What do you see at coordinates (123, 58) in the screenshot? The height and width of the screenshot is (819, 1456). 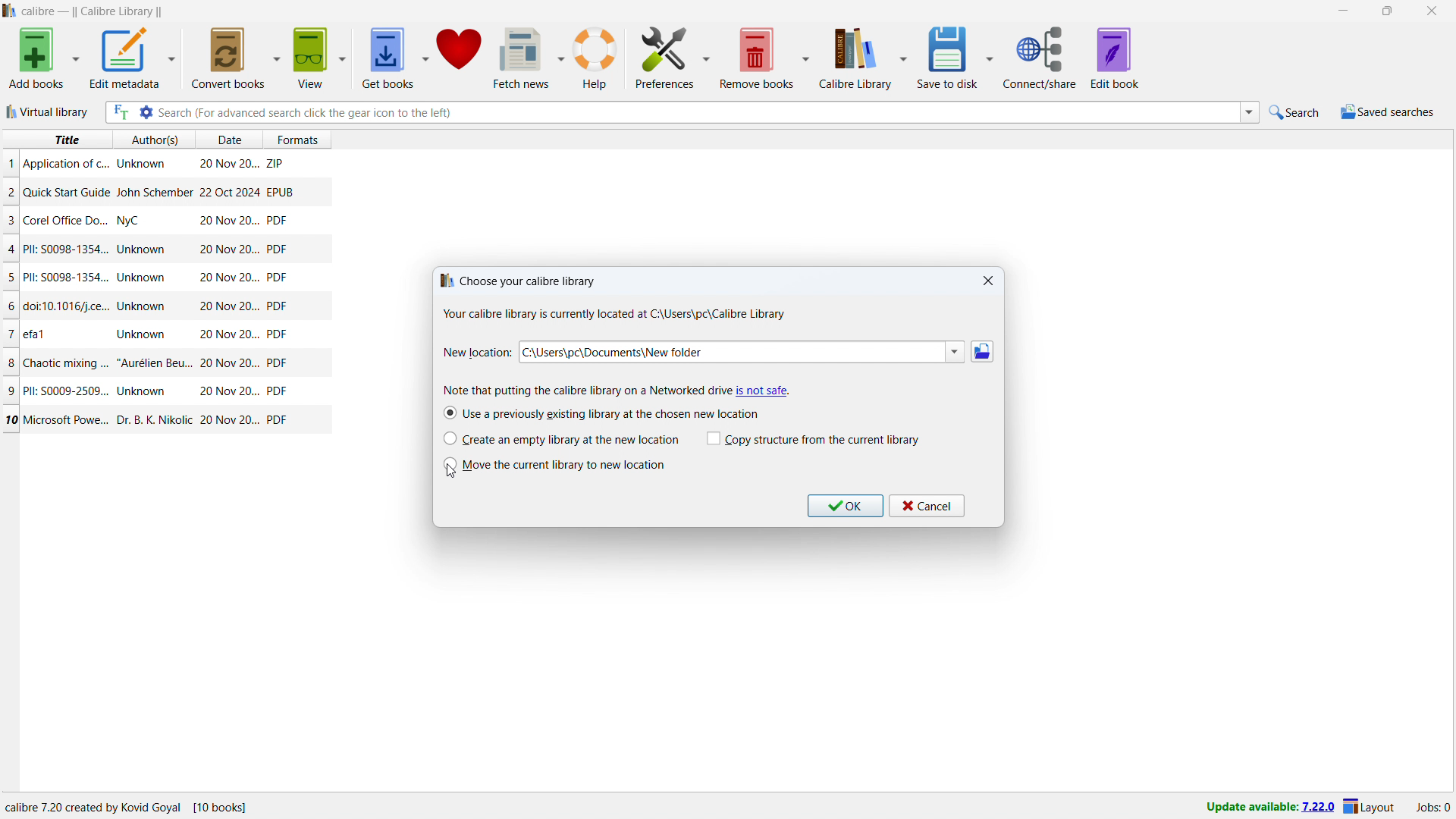 I see `edit metadata` at bounding box center [123, 58].